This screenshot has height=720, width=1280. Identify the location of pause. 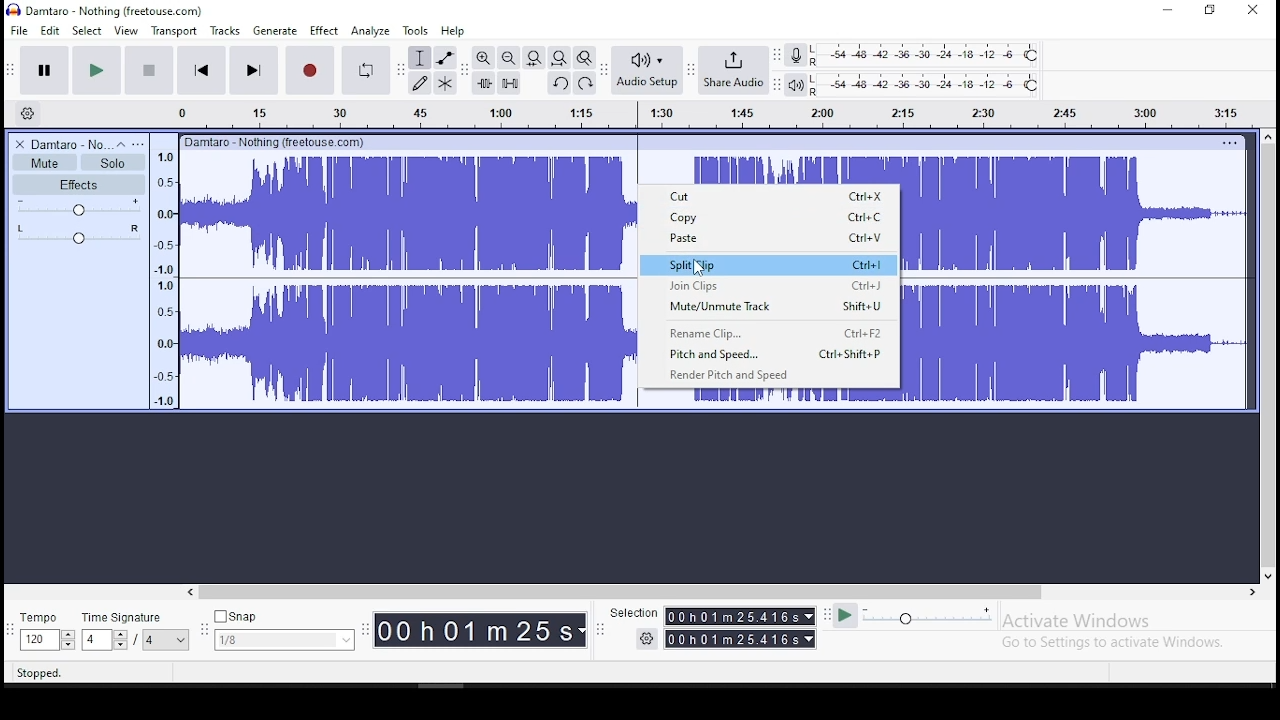
(44, 70).